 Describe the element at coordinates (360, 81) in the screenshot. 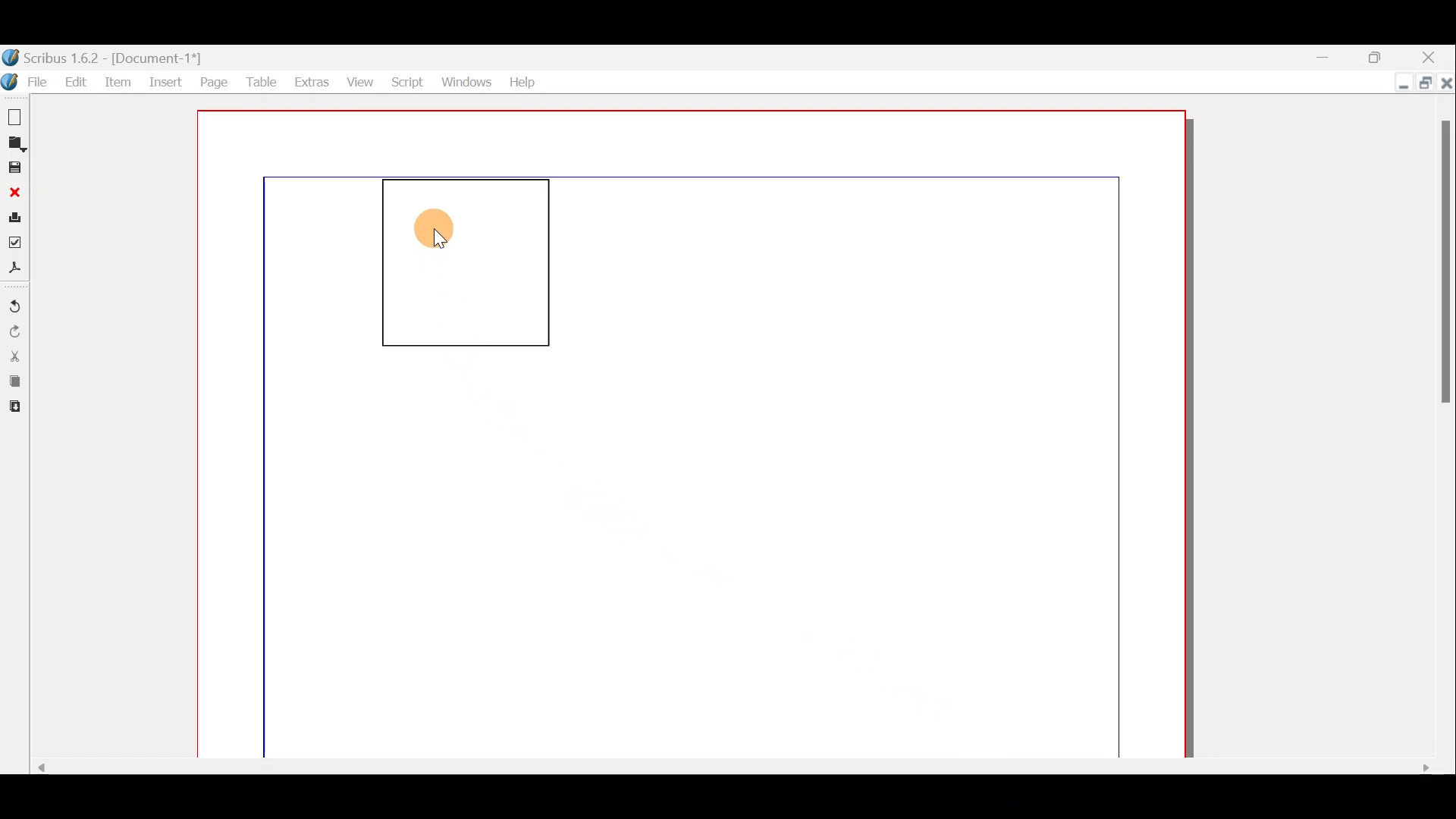

I see `View` at that location.